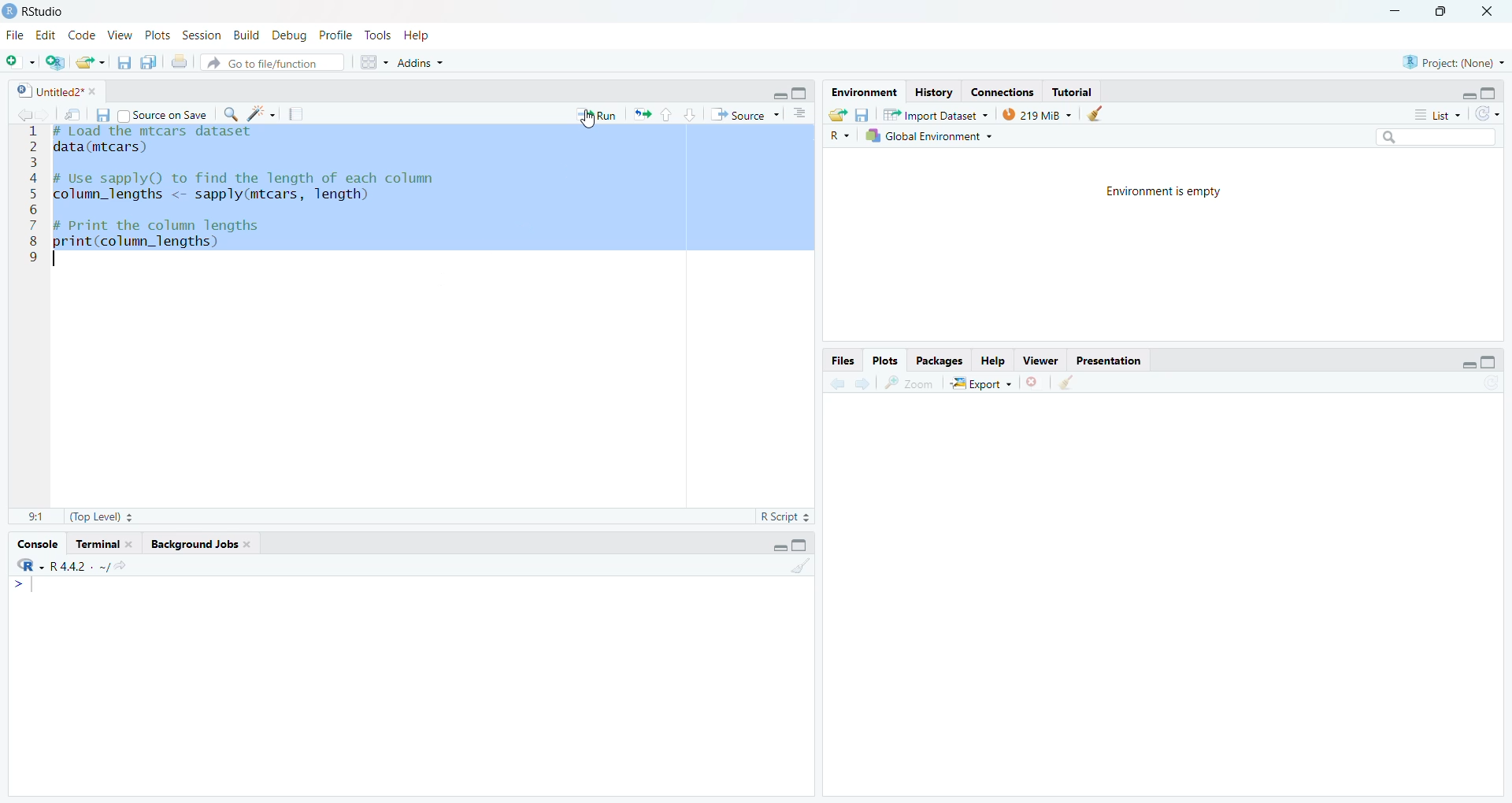 The width and height of the screenshot is (1512, 803). I want to click on List, so click(1438, 114).